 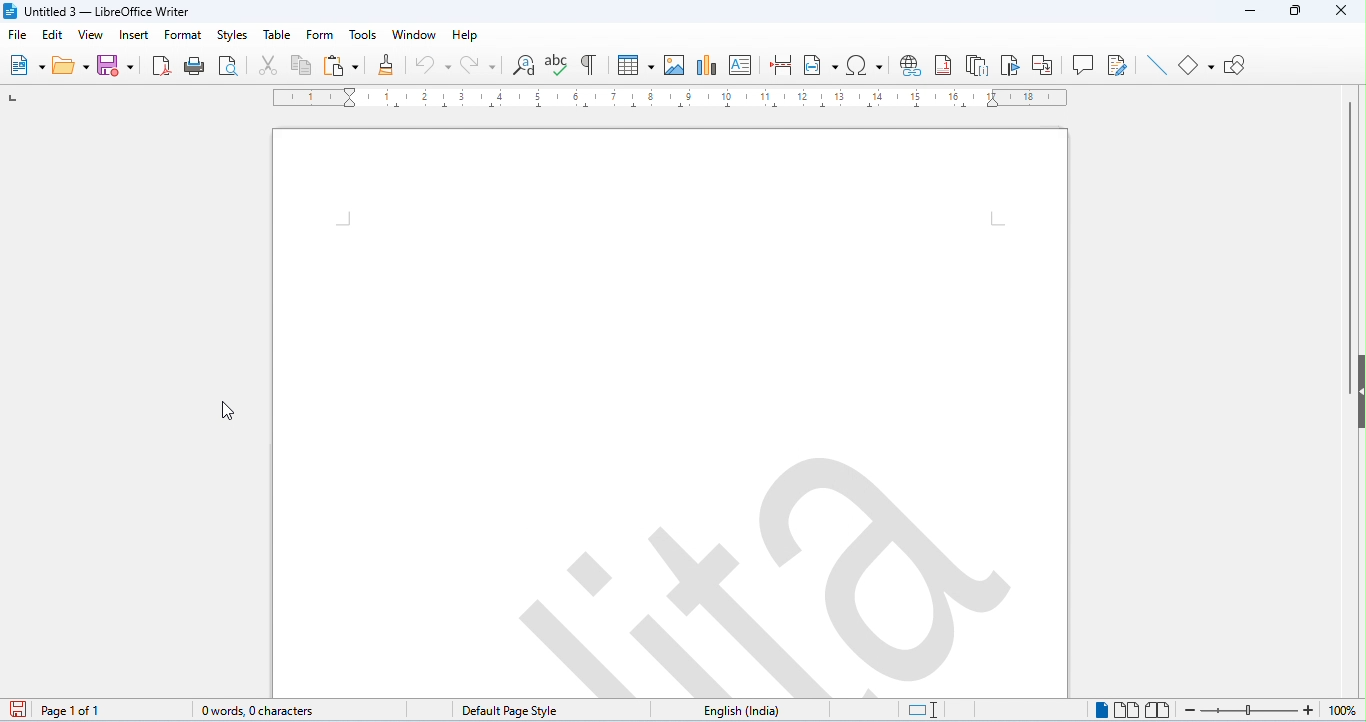 I want to click on insert, so click(x=135, y=36).